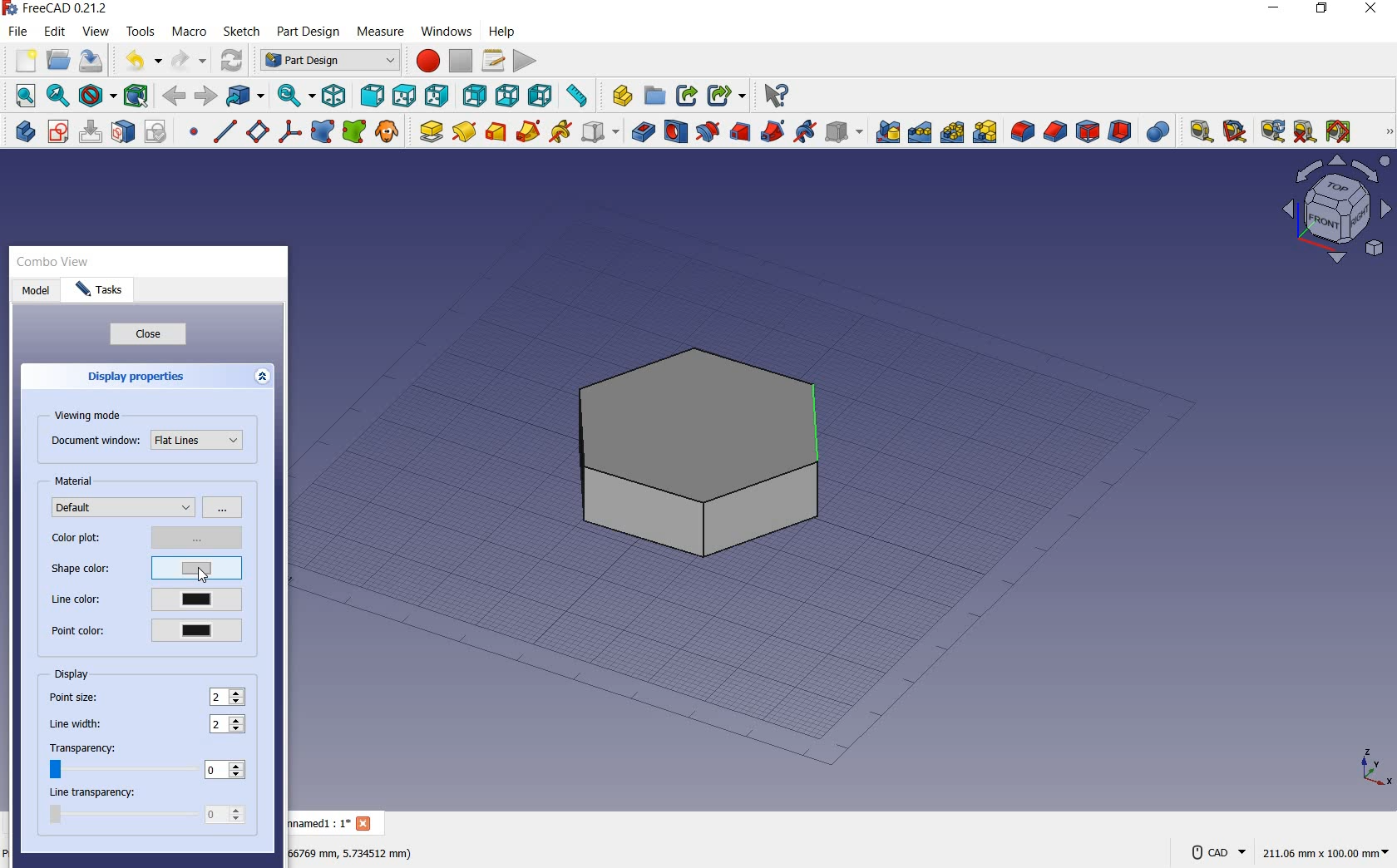  What do you see at coordinates (122, 811) in the screenshot?
I see `line transparency` at bounding box center [122, 811].